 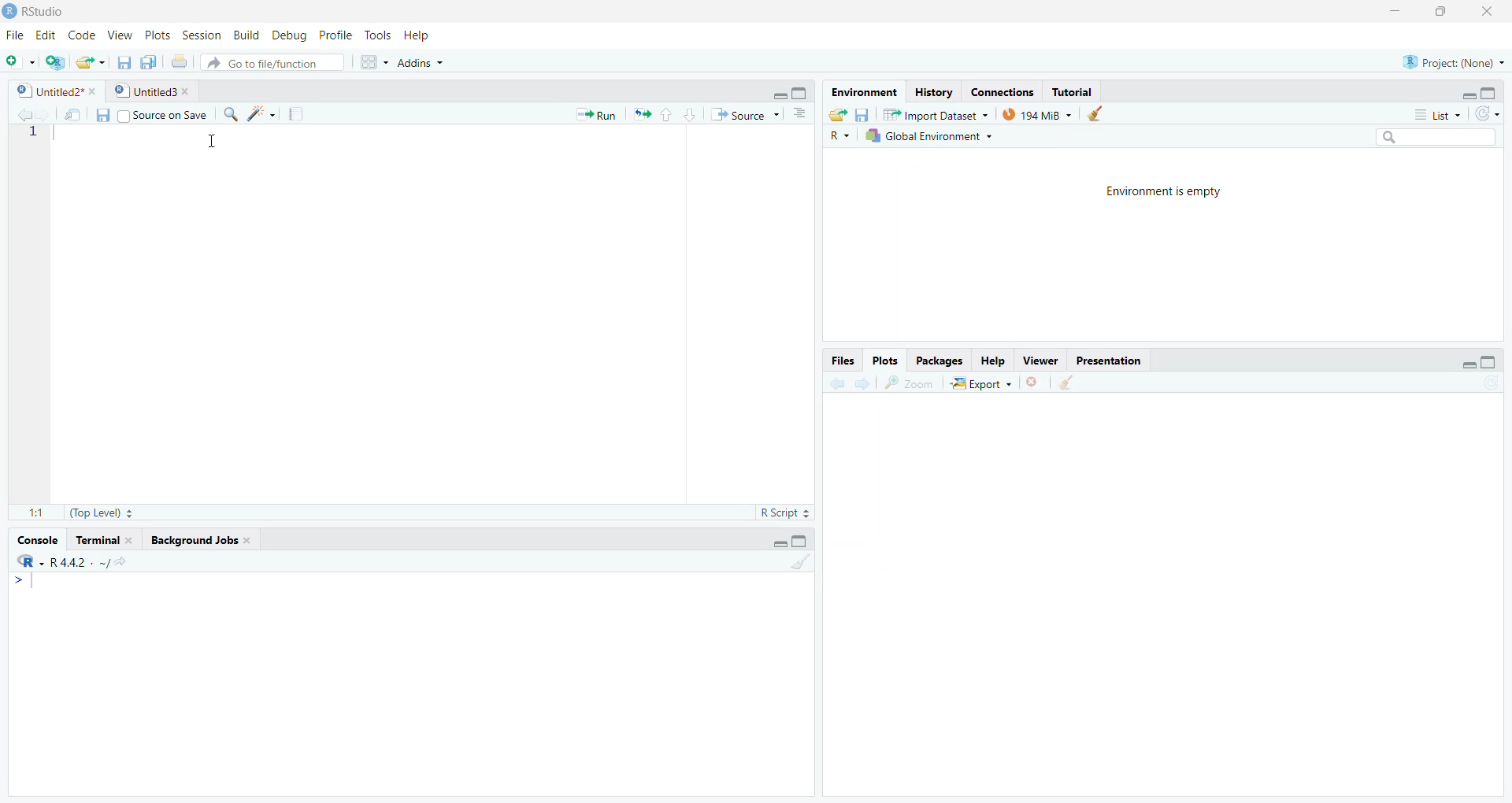 I want to click on Minimize, so click(x=1468, y=366).